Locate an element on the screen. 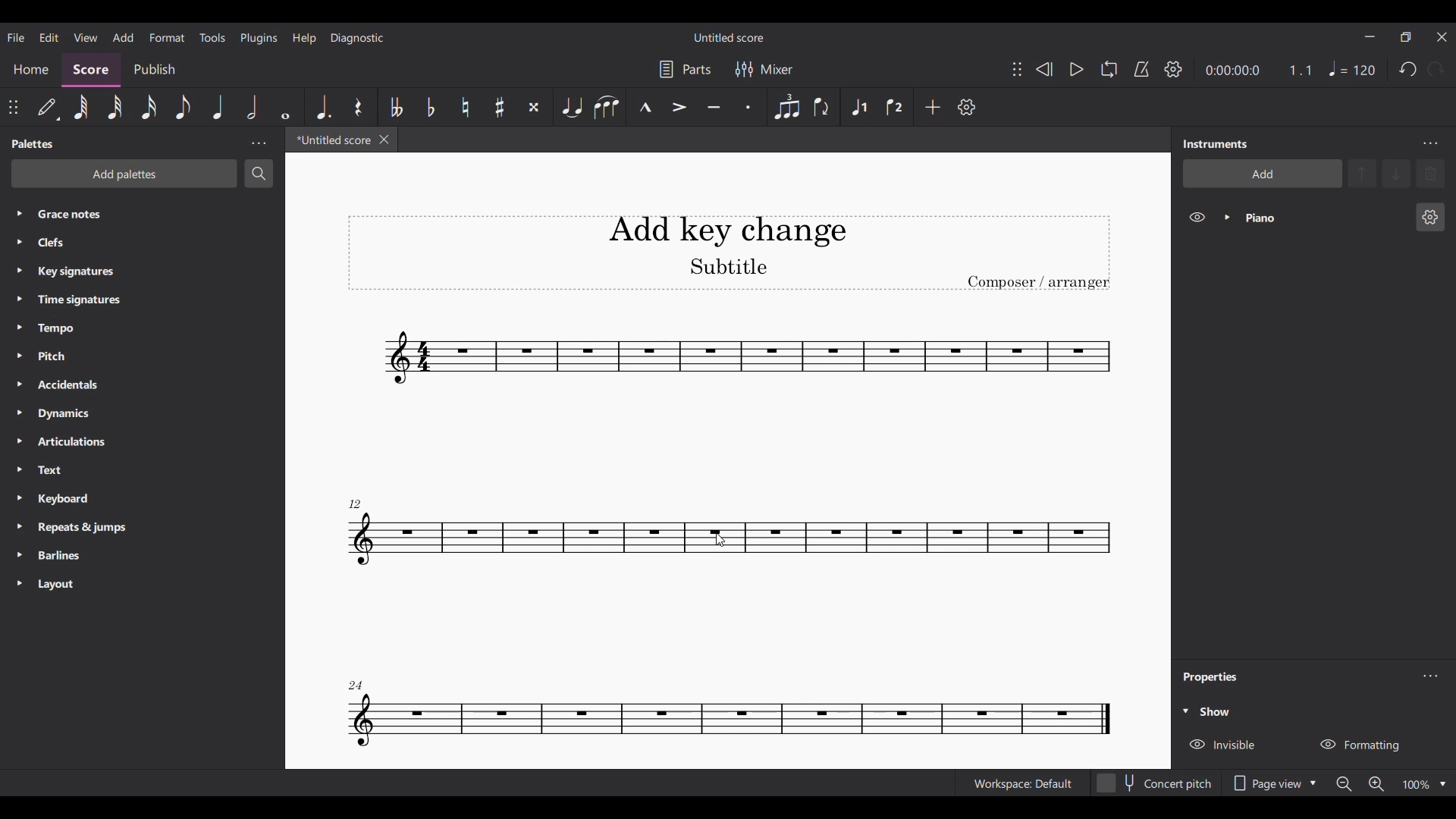 The image size is (1456, 819). Plugins menu is located at coordinates (258, 37).